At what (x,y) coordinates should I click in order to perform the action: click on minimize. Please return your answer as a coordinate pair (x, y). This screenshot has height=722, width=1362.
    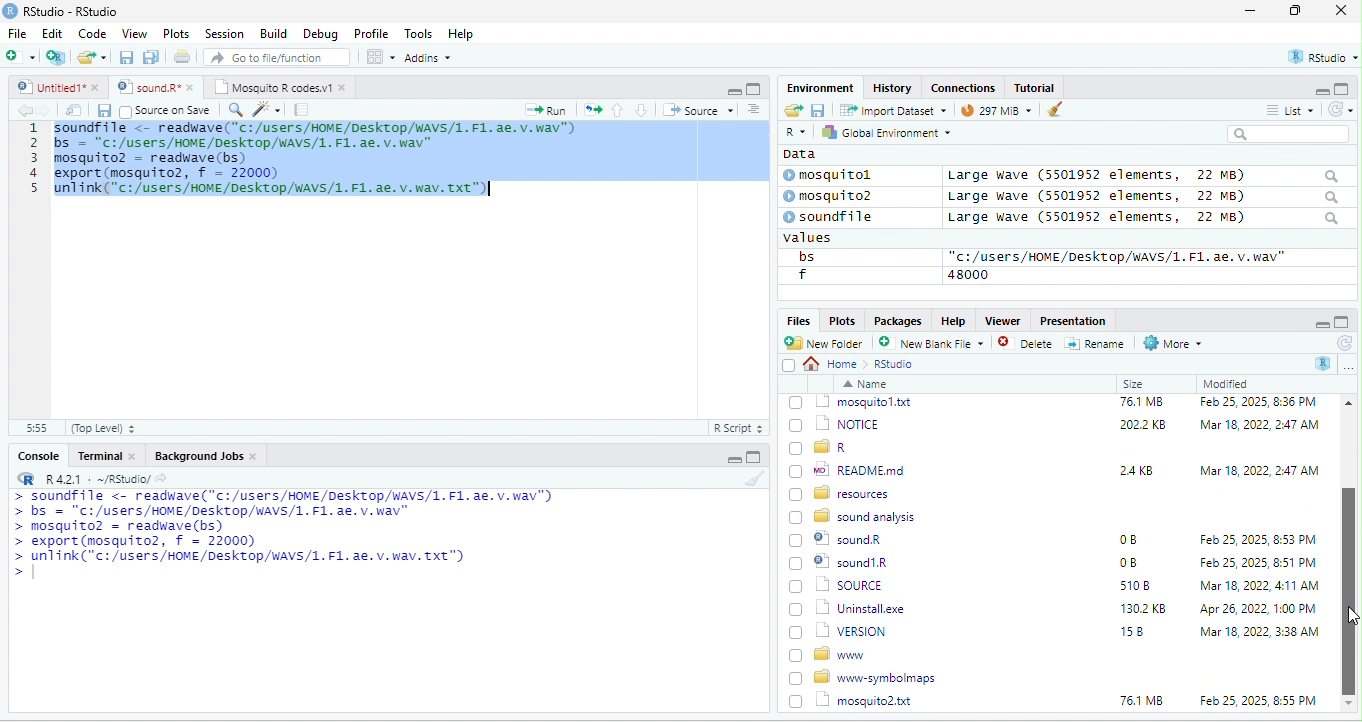
    Looking at the image, I should click on (1250, 12).